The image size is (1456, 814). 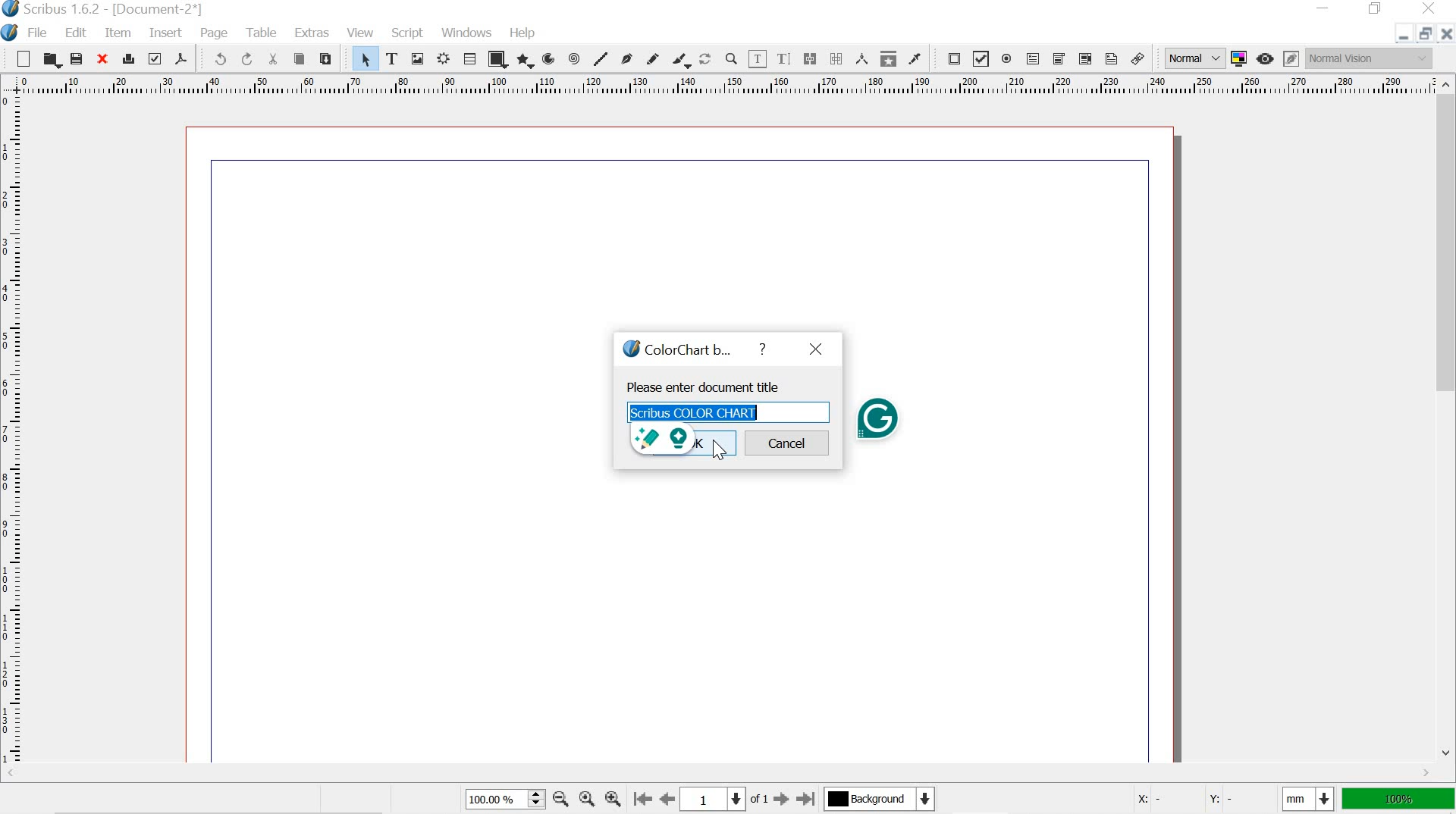 What do you see at coordinates (363, 58) in the screenshot?
I see `select item` at bounding box center [363, 58].